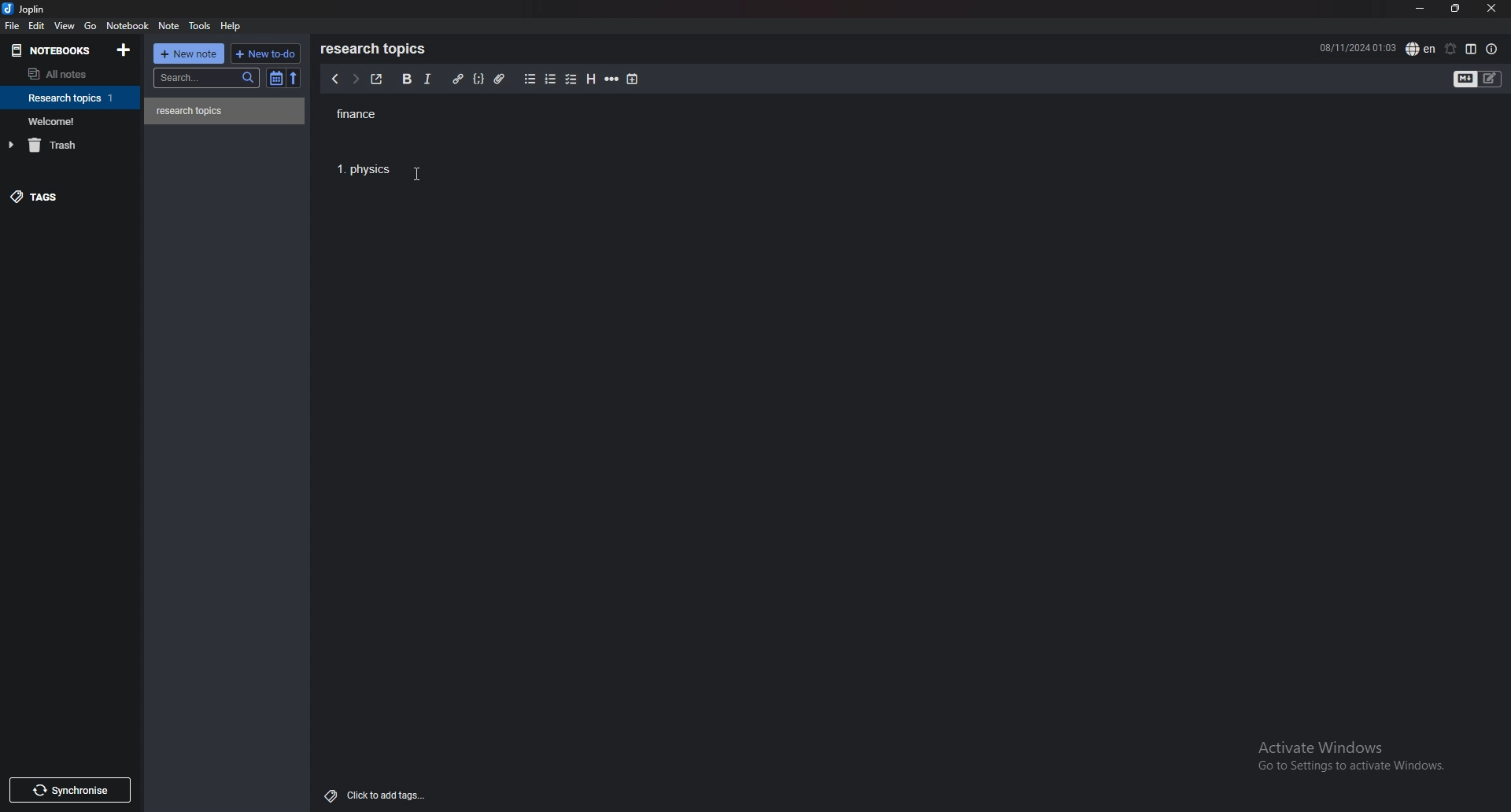 The image size is (1511, 812). I want to click on toggle editor layout, so click(1471, 49).